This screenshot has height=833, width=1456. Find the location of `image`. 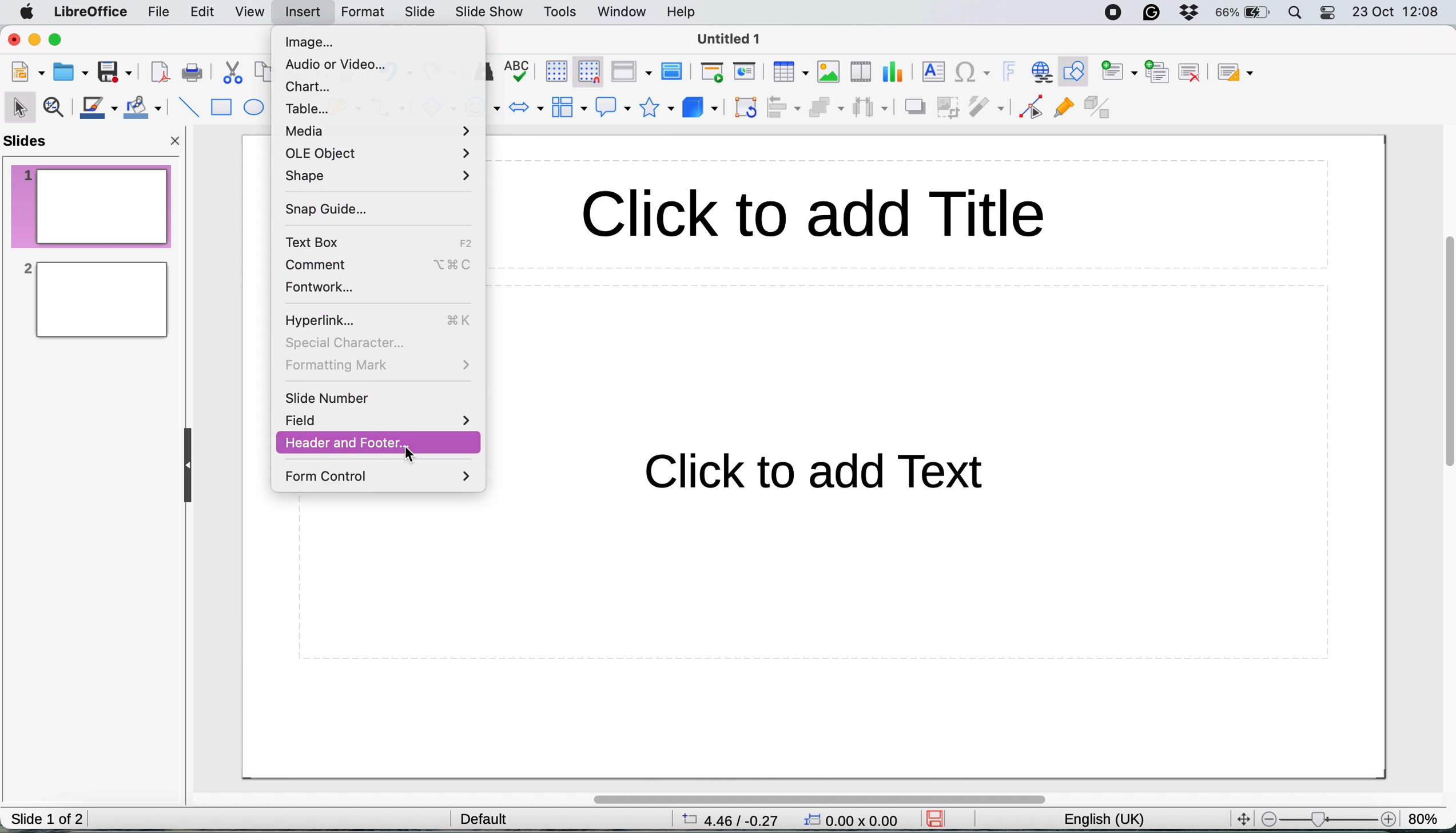

image is located at coordinates (315, 44).